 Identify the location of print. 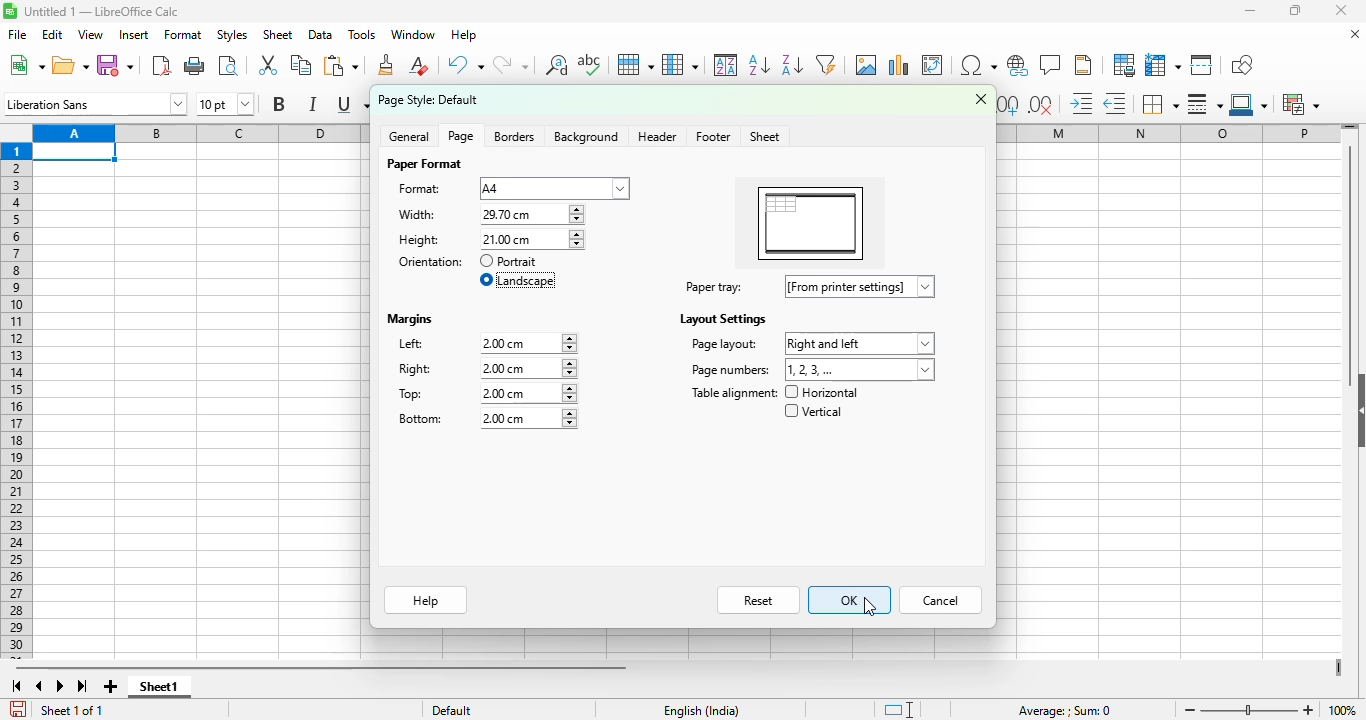
(196, 66).